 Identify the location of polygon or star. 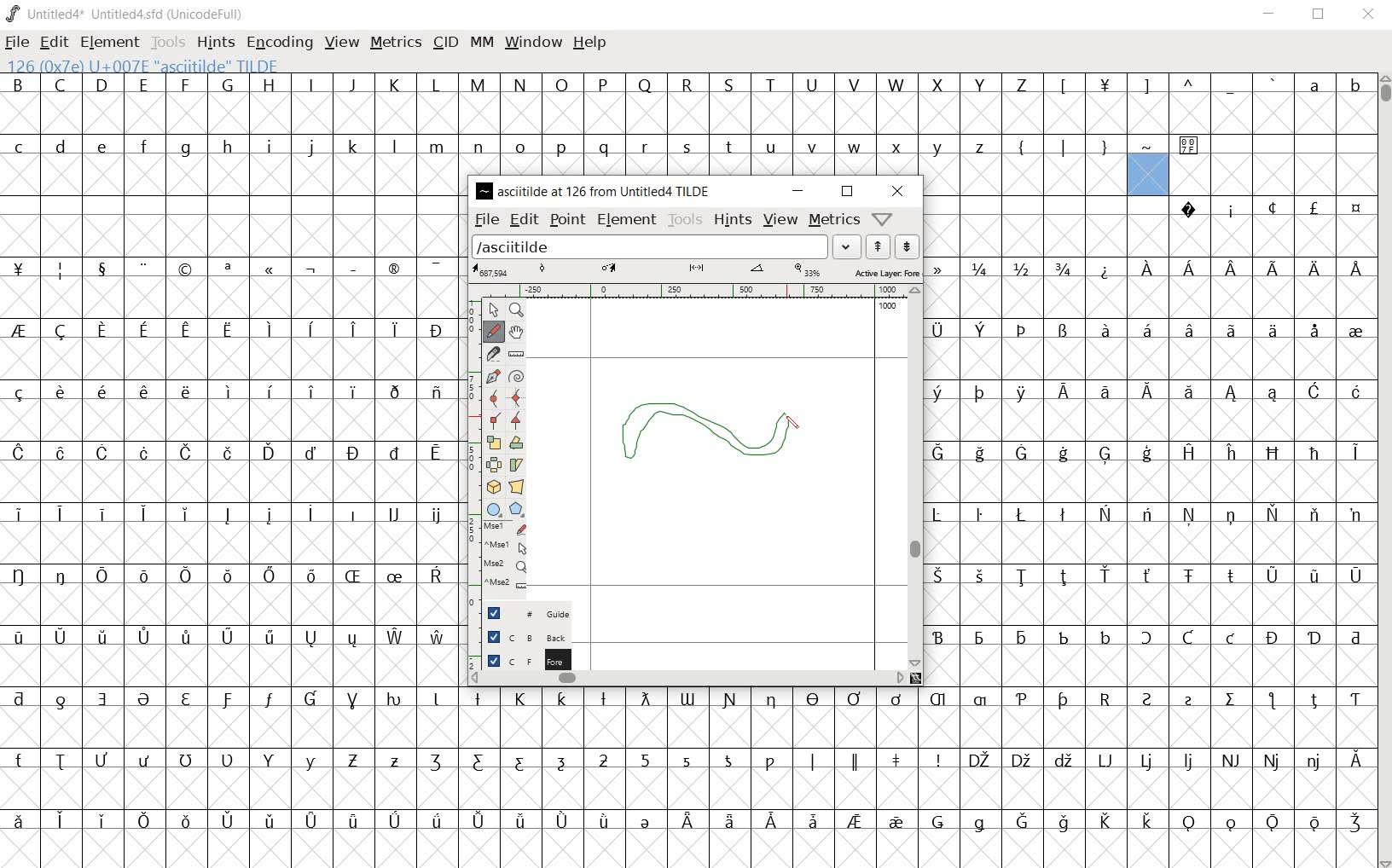
(515, 510).